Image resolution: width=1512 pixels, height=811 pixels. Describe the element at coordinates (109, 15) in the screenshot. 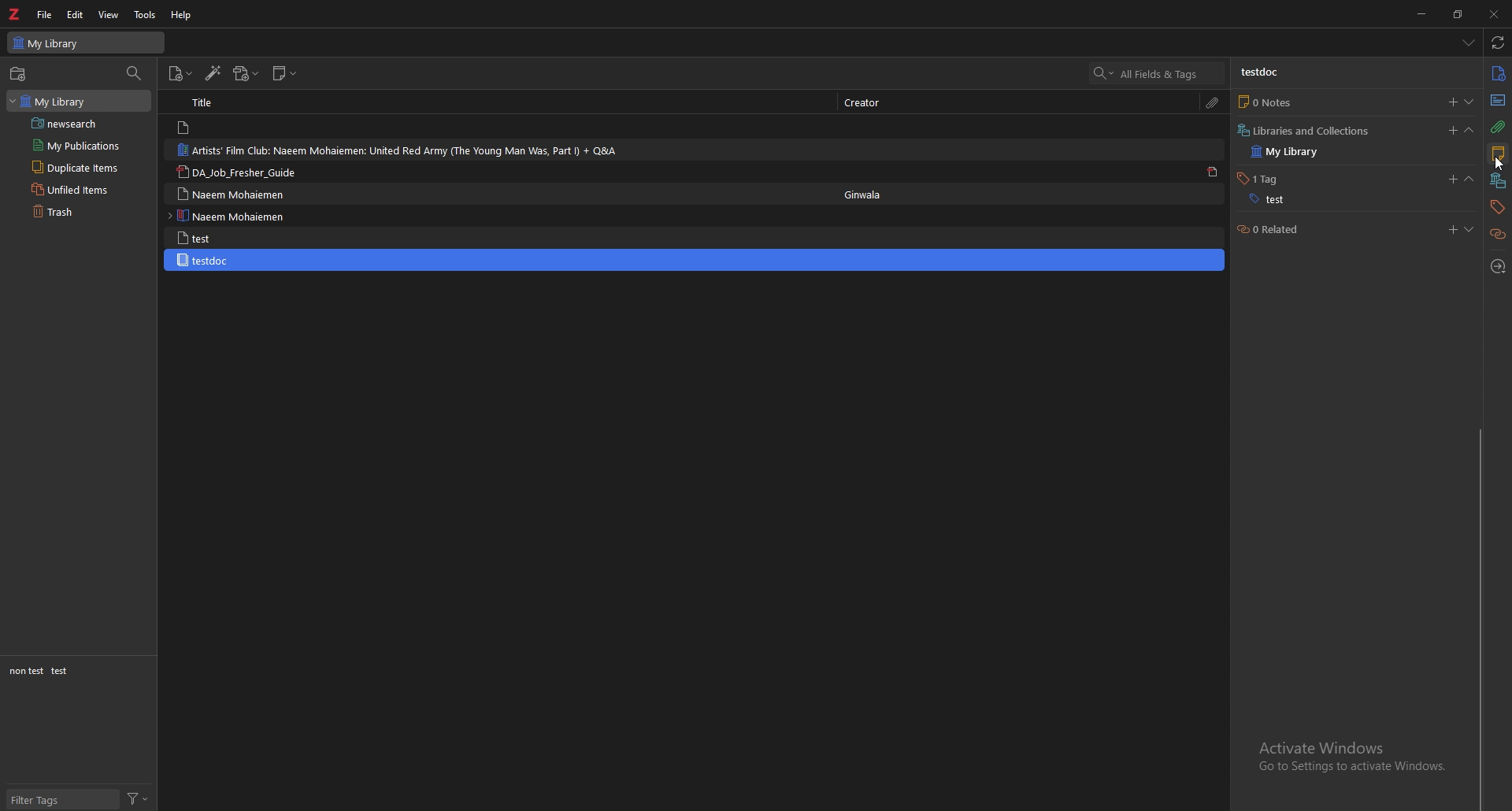

I see `view` at that location.